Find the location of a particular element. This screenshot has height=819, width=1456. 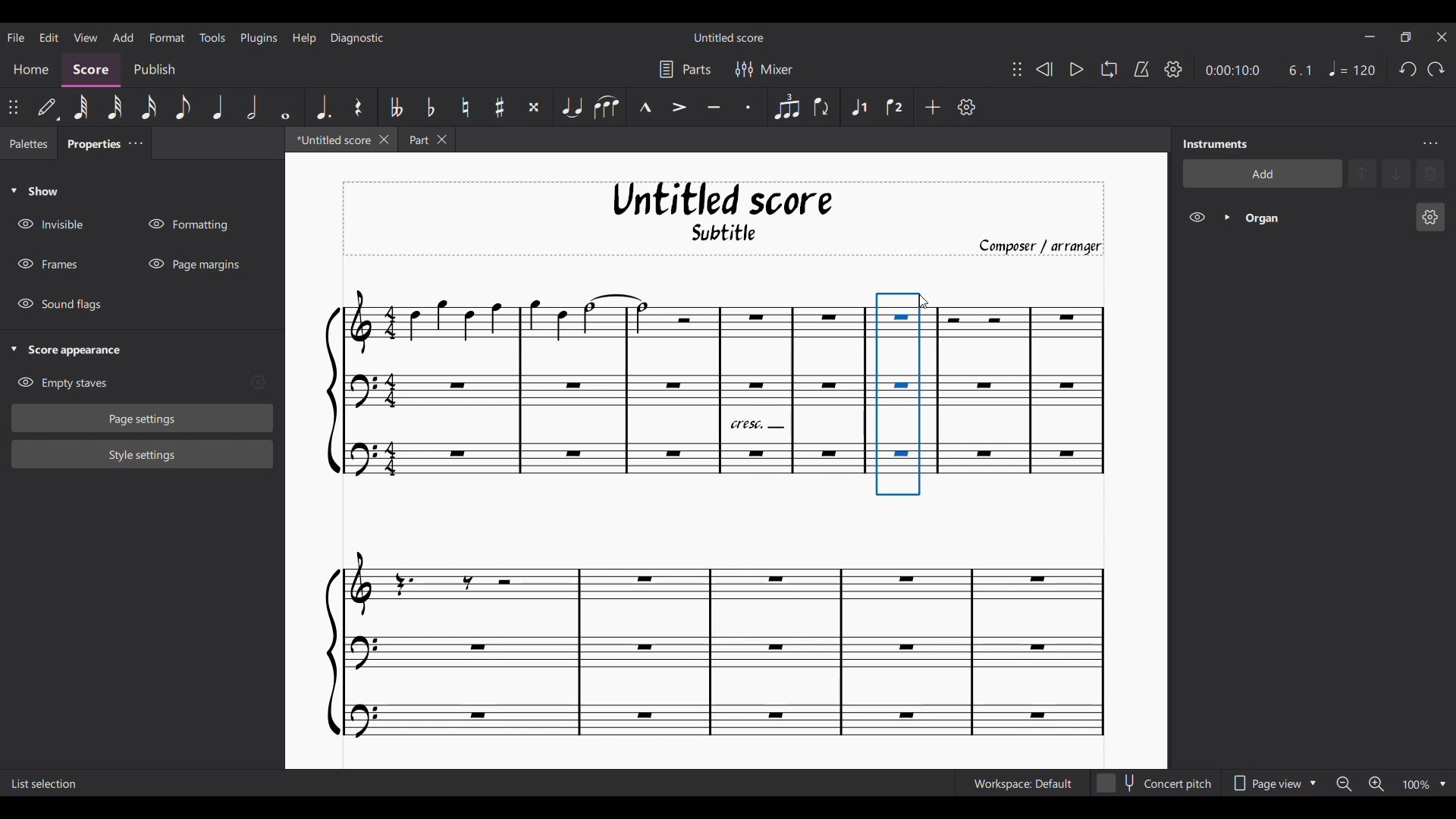

Description of current selection is located at coordinates (47, 783).